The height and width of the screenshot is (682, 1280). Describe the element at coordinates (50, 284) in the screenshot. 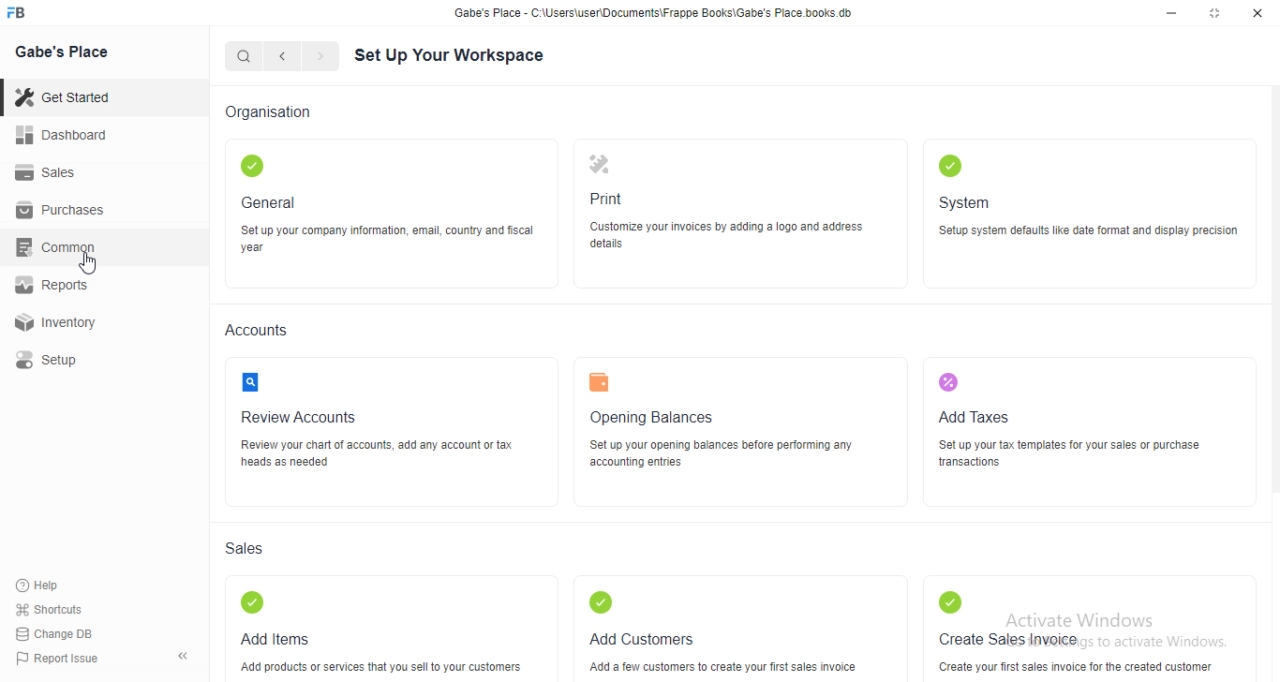

I see `Reports` at that location.